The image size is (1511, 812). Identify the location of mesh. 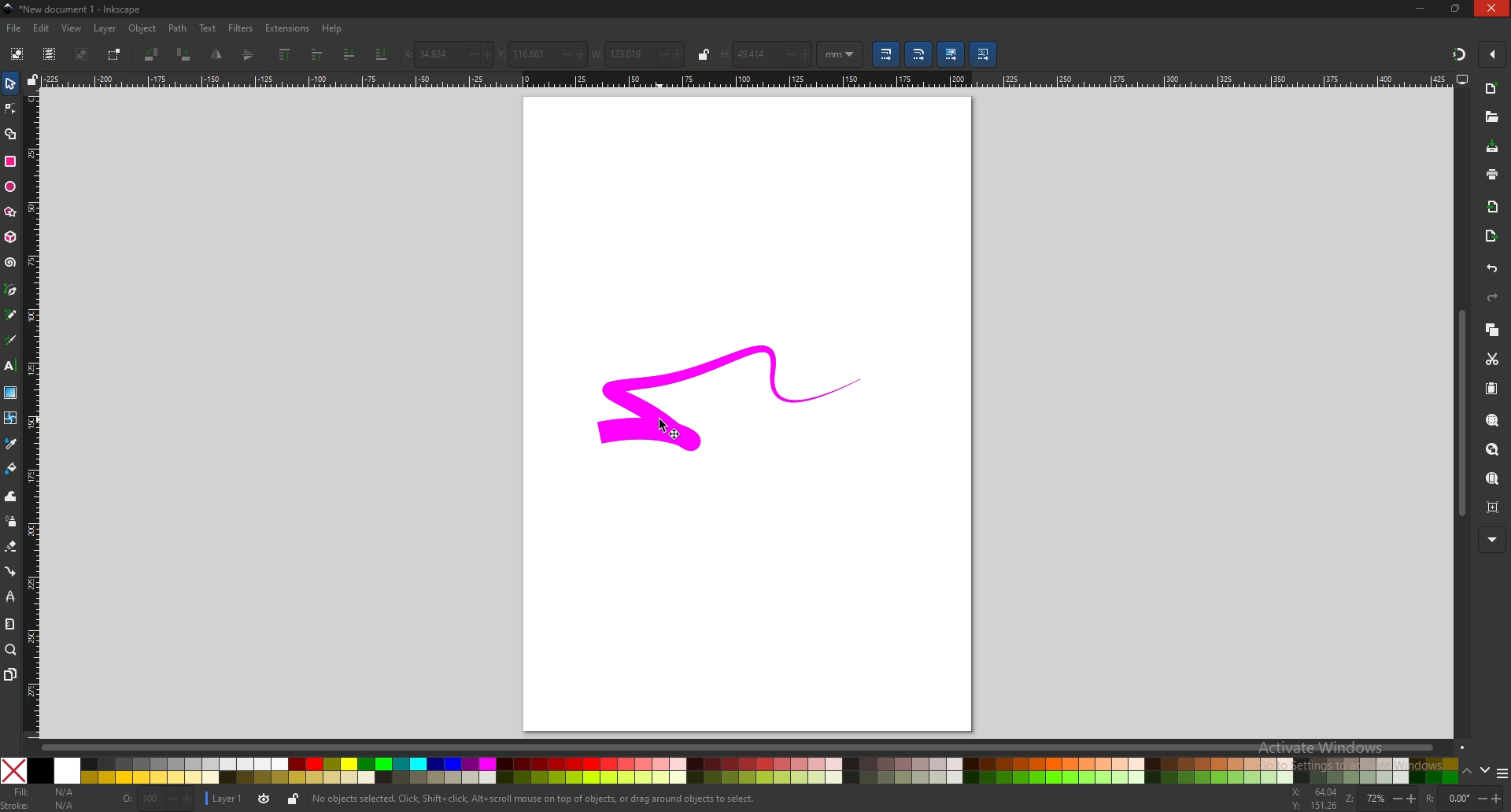
(11, 418).